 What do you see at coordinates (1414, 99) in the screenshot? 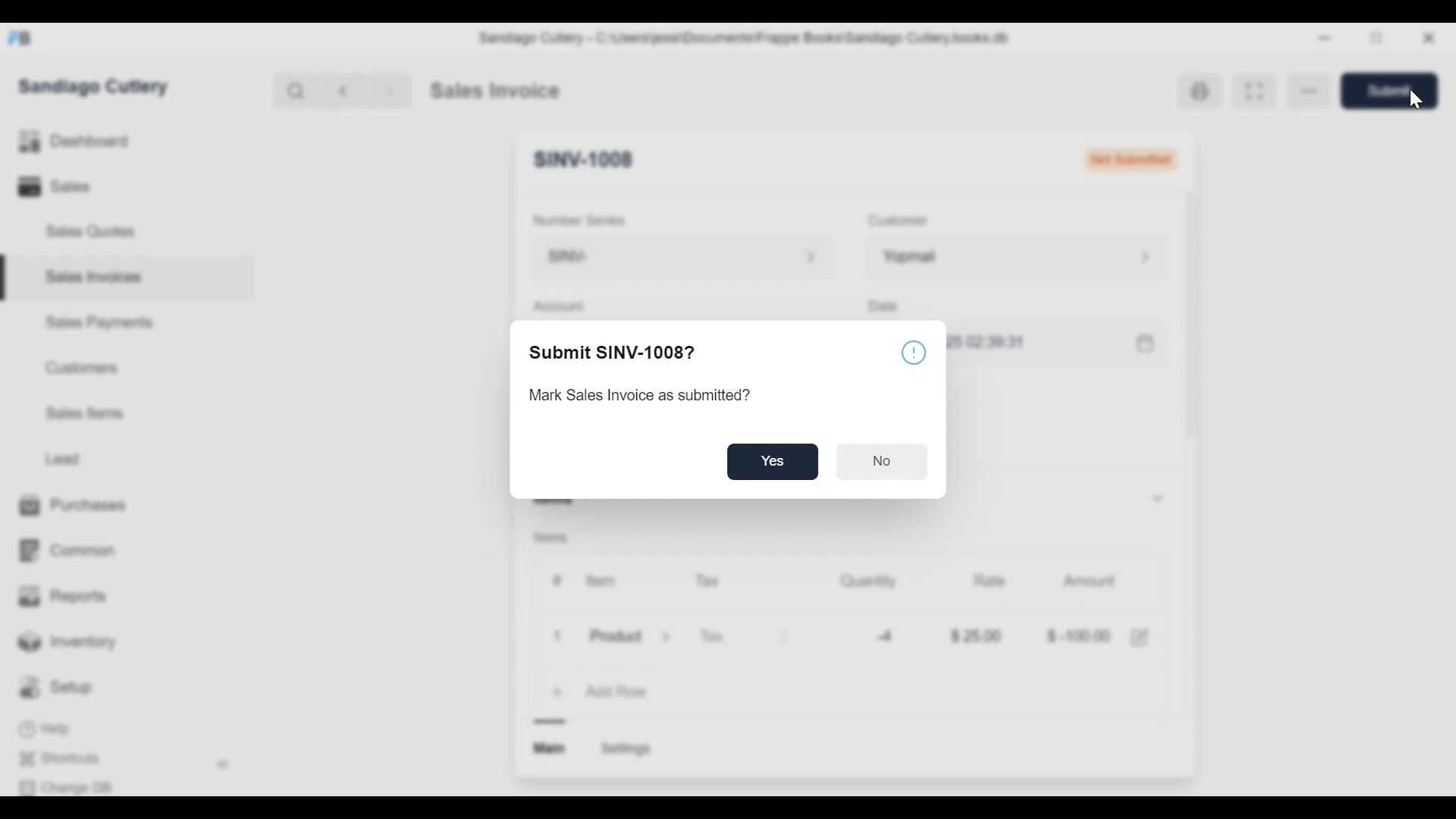
I see `Cursor` at bounding box center [1414, 99].